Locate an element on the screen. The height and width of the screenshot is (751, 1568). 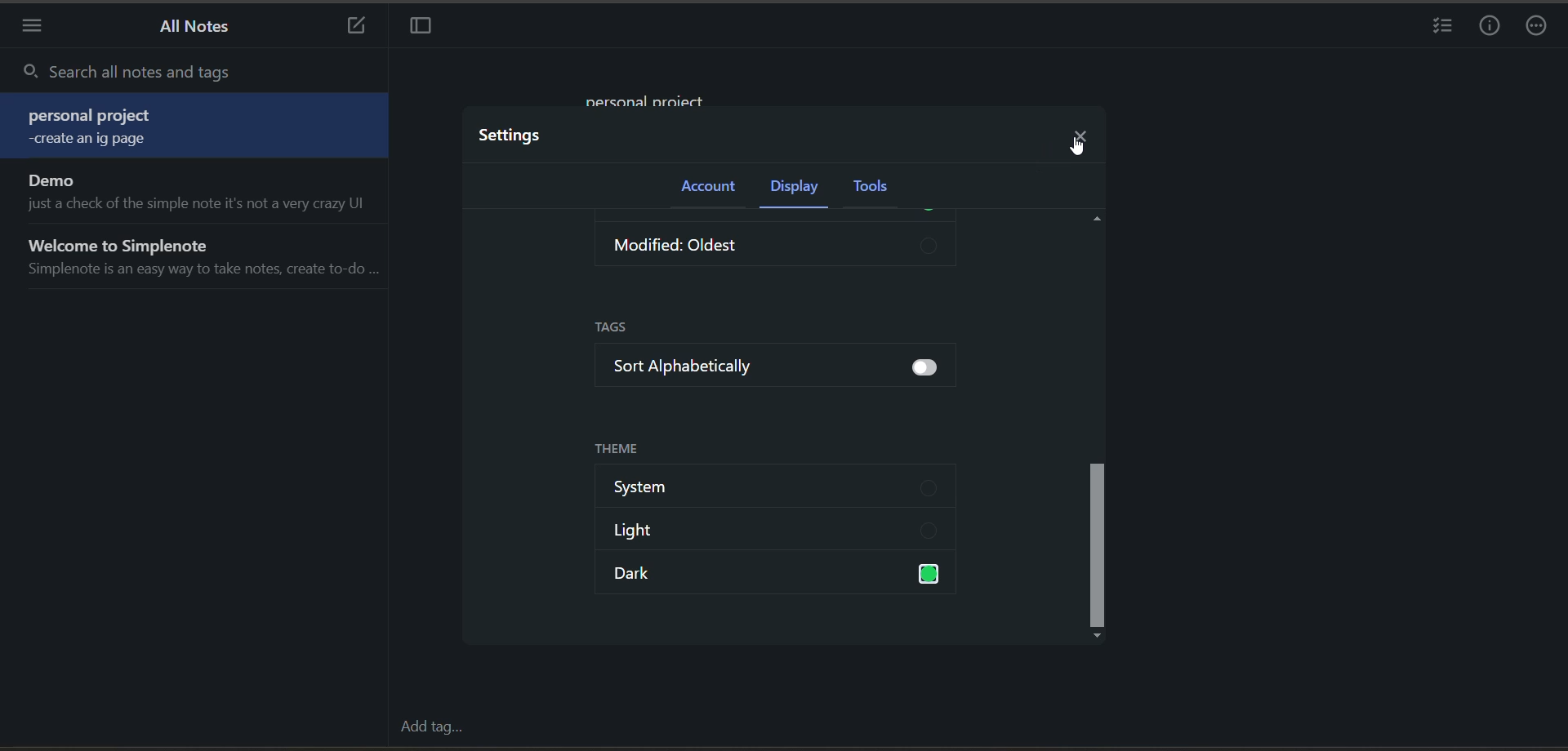
light is located at coordinates (780, 535).